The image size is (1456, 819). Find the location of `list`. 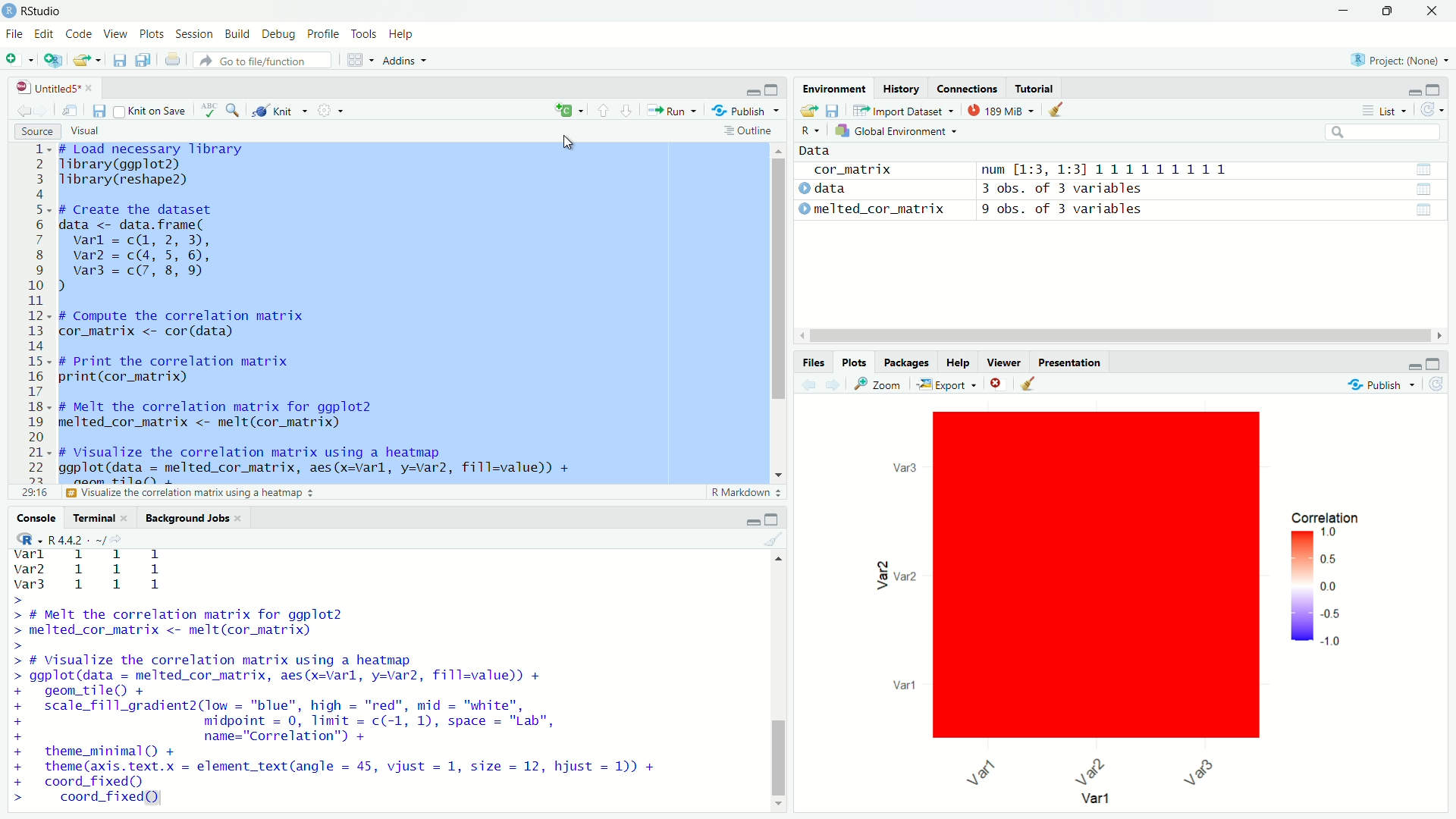

list is located at coordinates (1385, 110).